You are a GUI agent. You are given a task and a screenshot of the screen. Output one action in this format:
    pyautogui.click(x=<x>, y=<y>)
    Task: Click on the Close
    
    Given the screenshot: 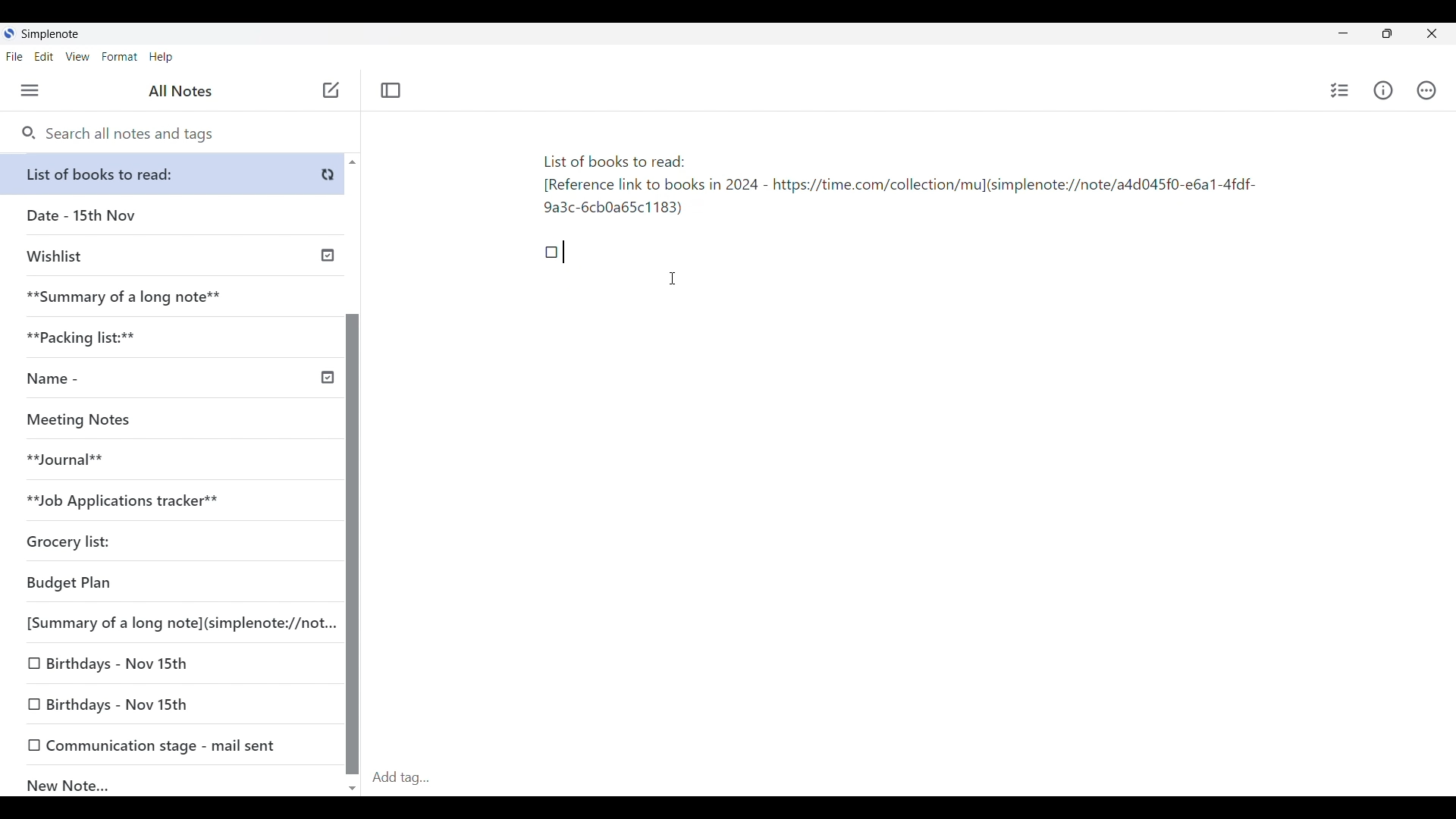 What is the action you would take?
    pyautogui.click(x=1432, y=34)
    